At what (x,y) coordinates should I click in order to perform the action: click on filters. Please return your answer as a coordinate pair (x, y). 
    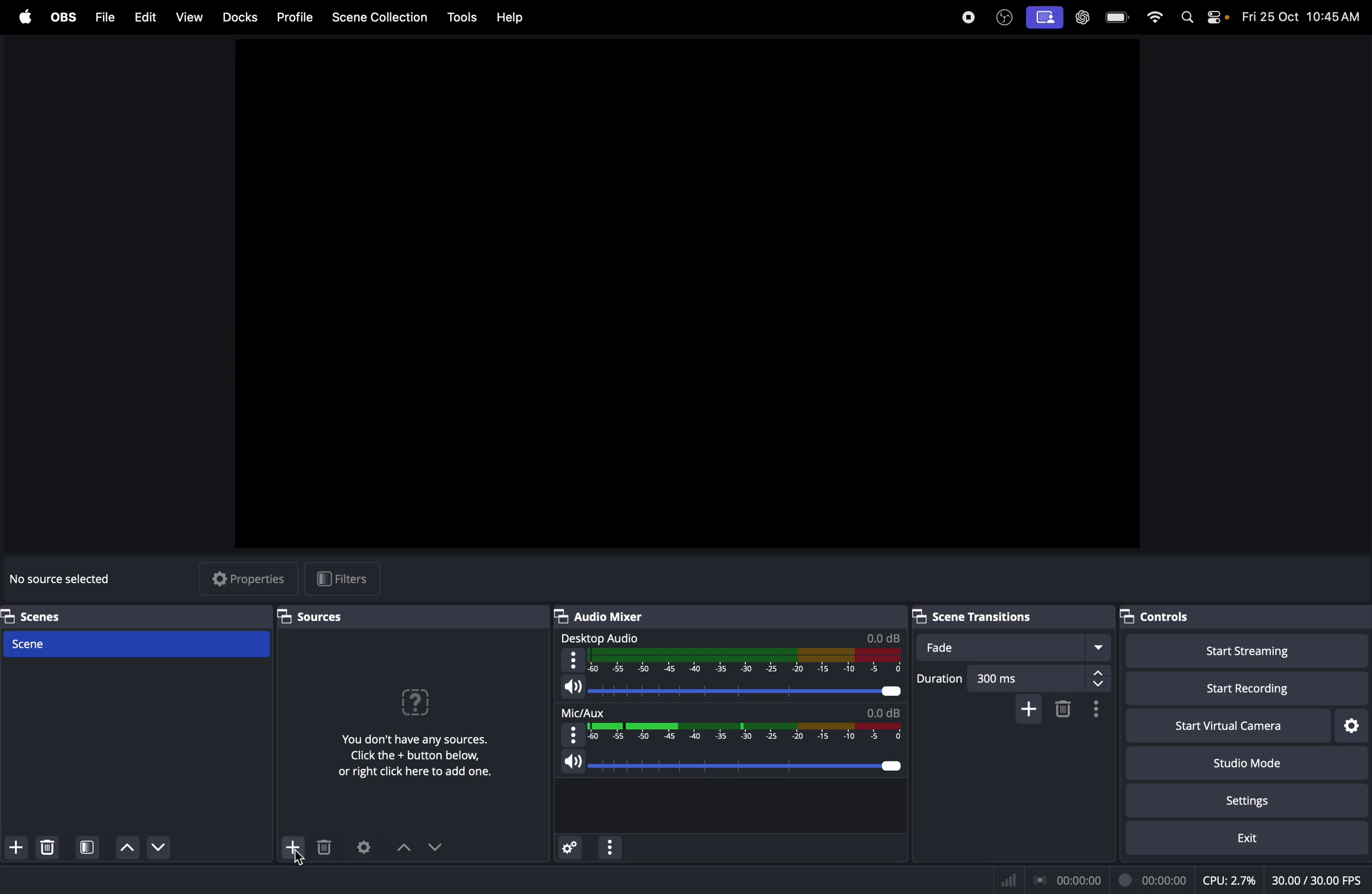
    Looking at the image, I should click on (342, 579).